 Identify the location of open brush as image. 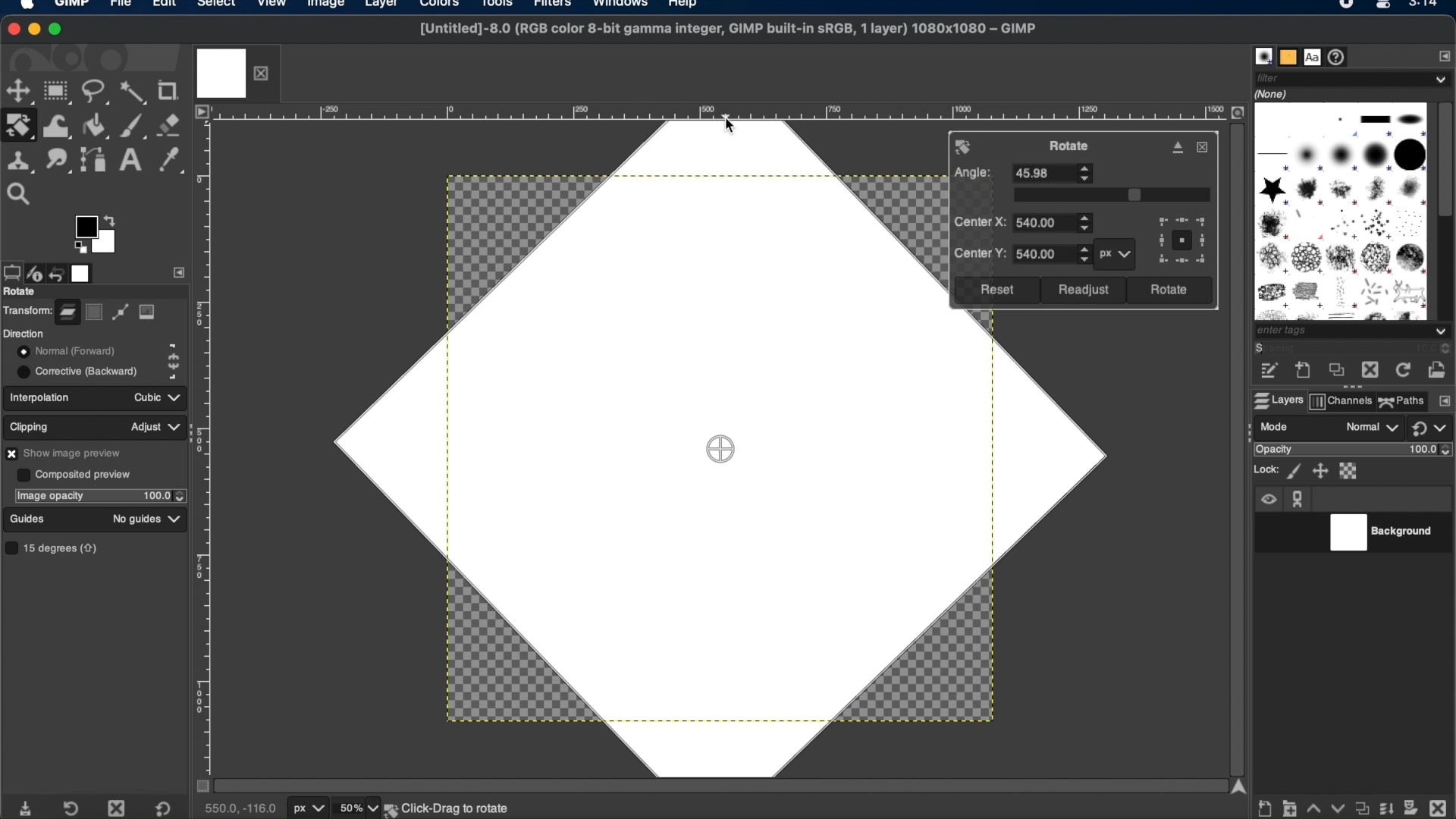
(1438, 366).